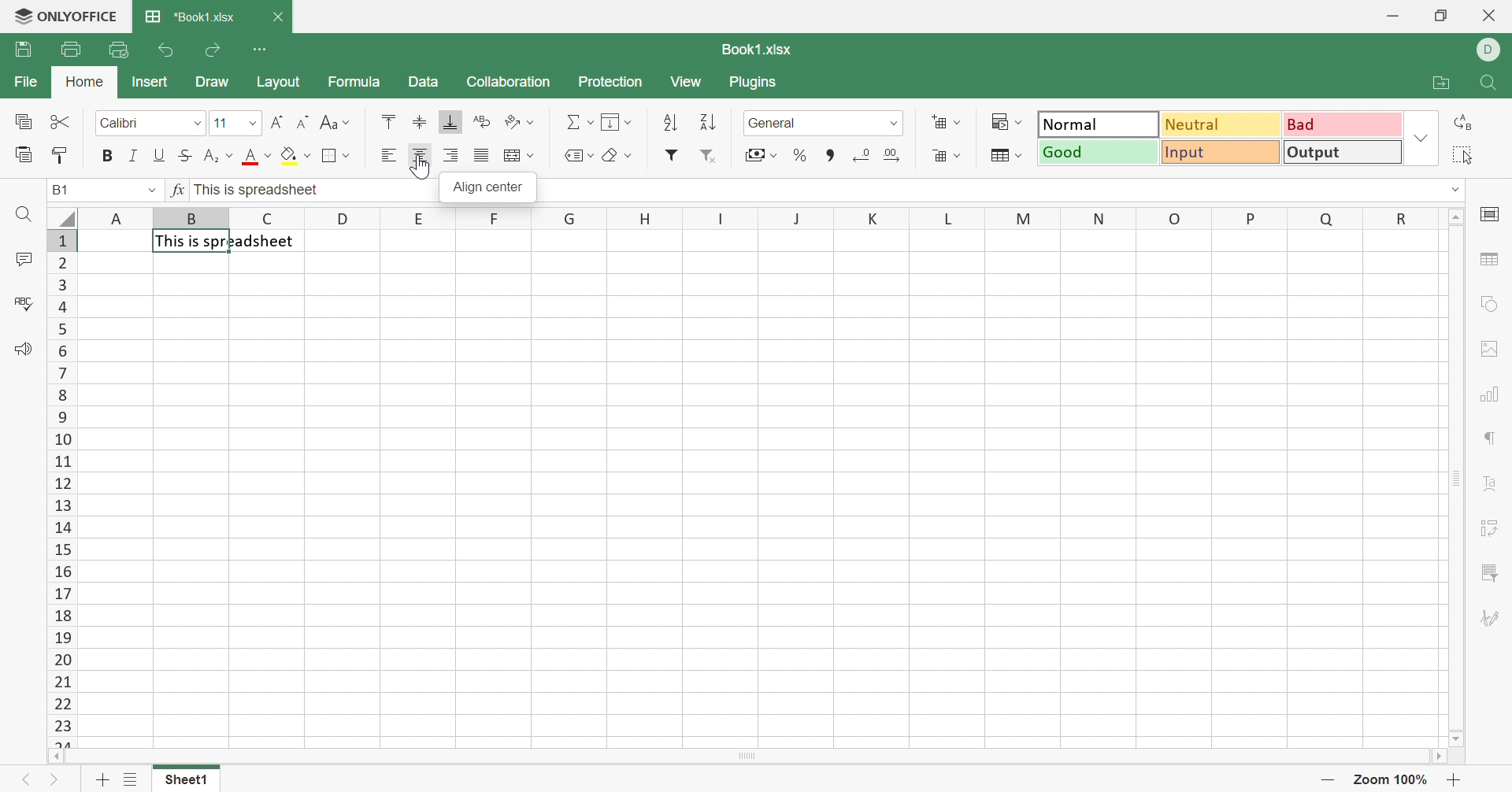 This screenshot has width=1512, height=792. What do you see at coordinates (150, 190) in the screenshot?
I see `Drop Down` at bounding box center [150, 190].